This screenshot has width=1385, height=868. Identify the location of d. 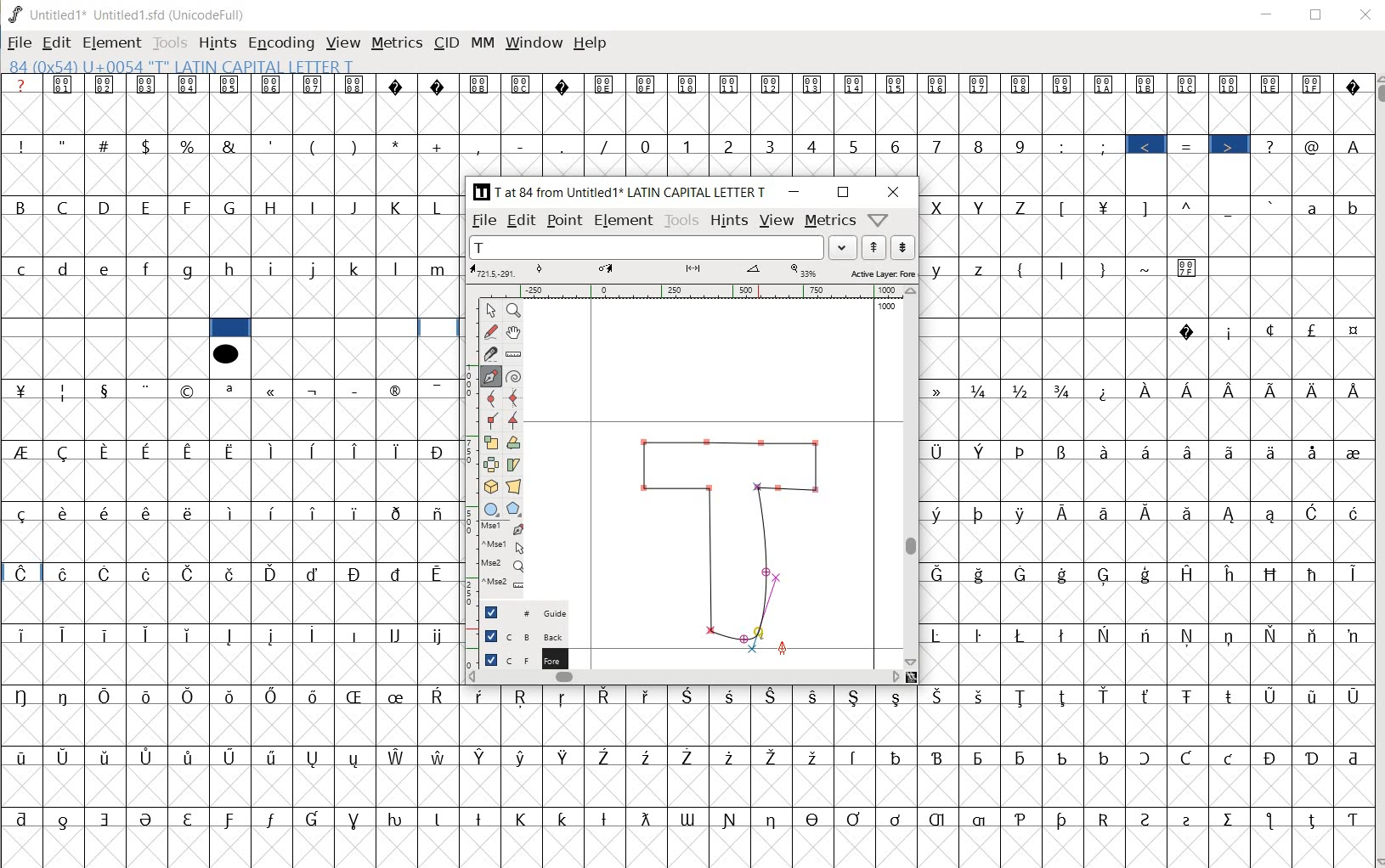
(65, 268).